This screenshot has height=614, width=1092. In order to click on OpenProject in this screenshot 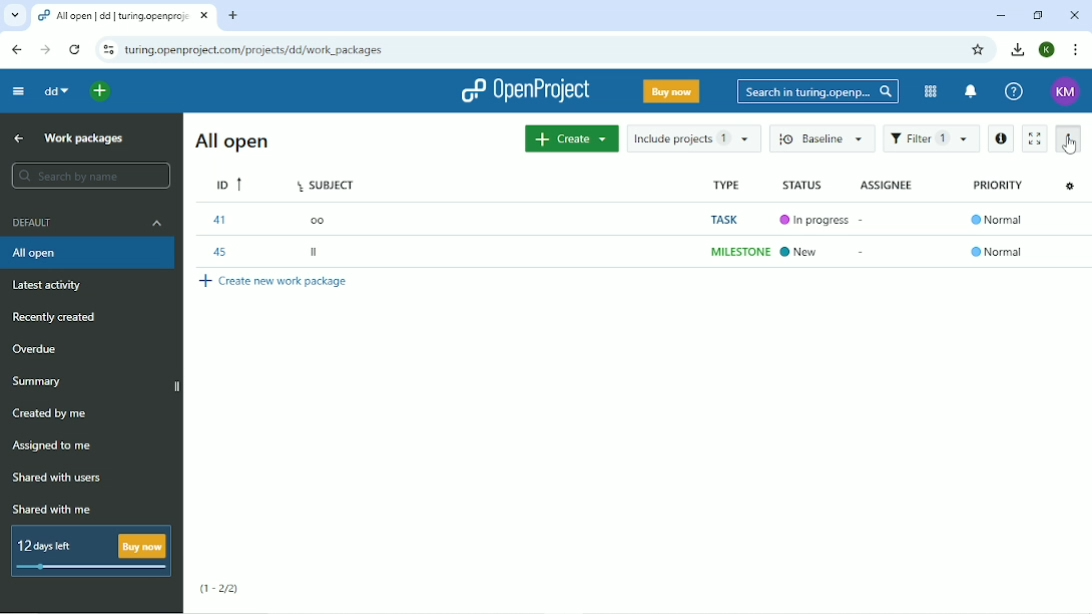, I will do `click(524, 91)`.